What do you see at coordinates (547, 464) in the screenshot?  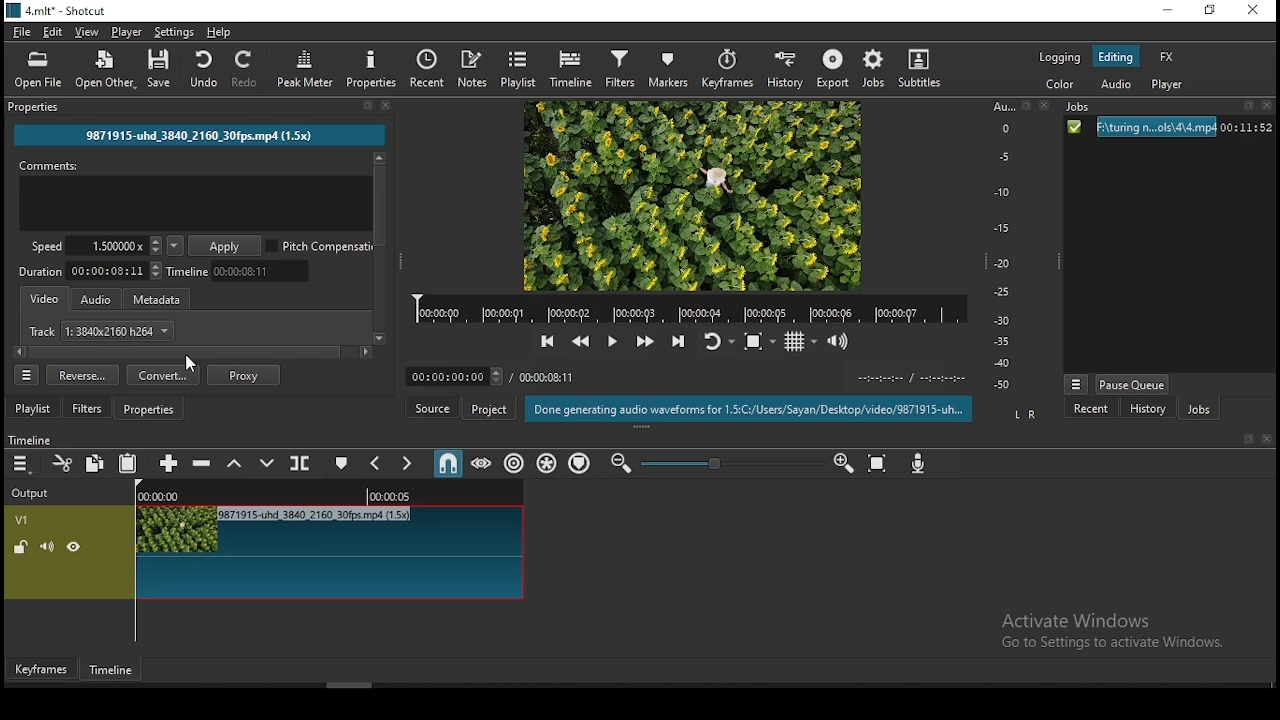 I see `ripple all tracks` at bounding box center [547, 464].